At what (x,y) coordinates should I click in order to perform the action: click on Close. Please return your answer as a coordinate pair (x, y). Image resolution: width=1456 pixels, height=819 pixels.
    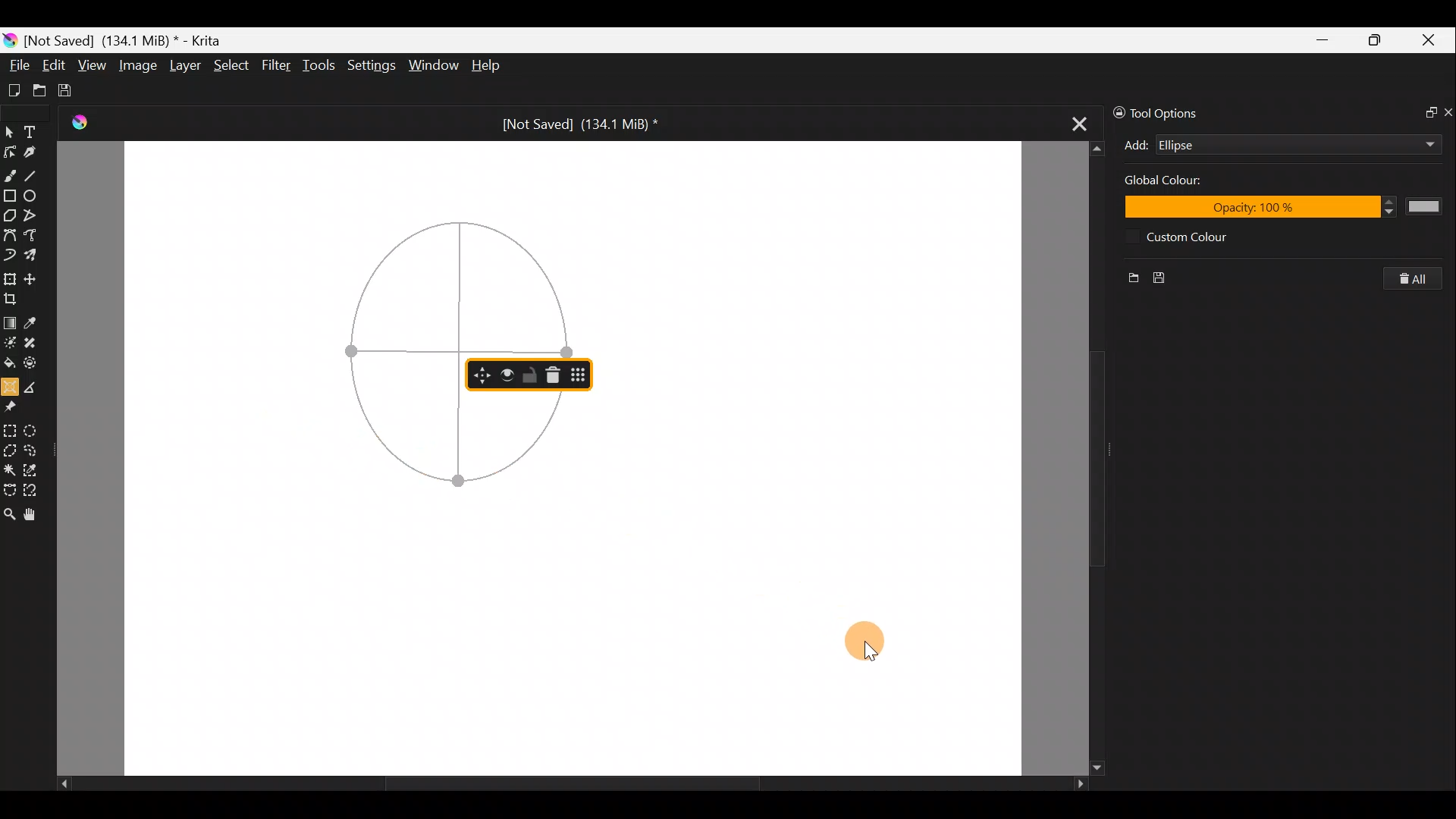
    Looking at the image, I should click on (1432, 41).